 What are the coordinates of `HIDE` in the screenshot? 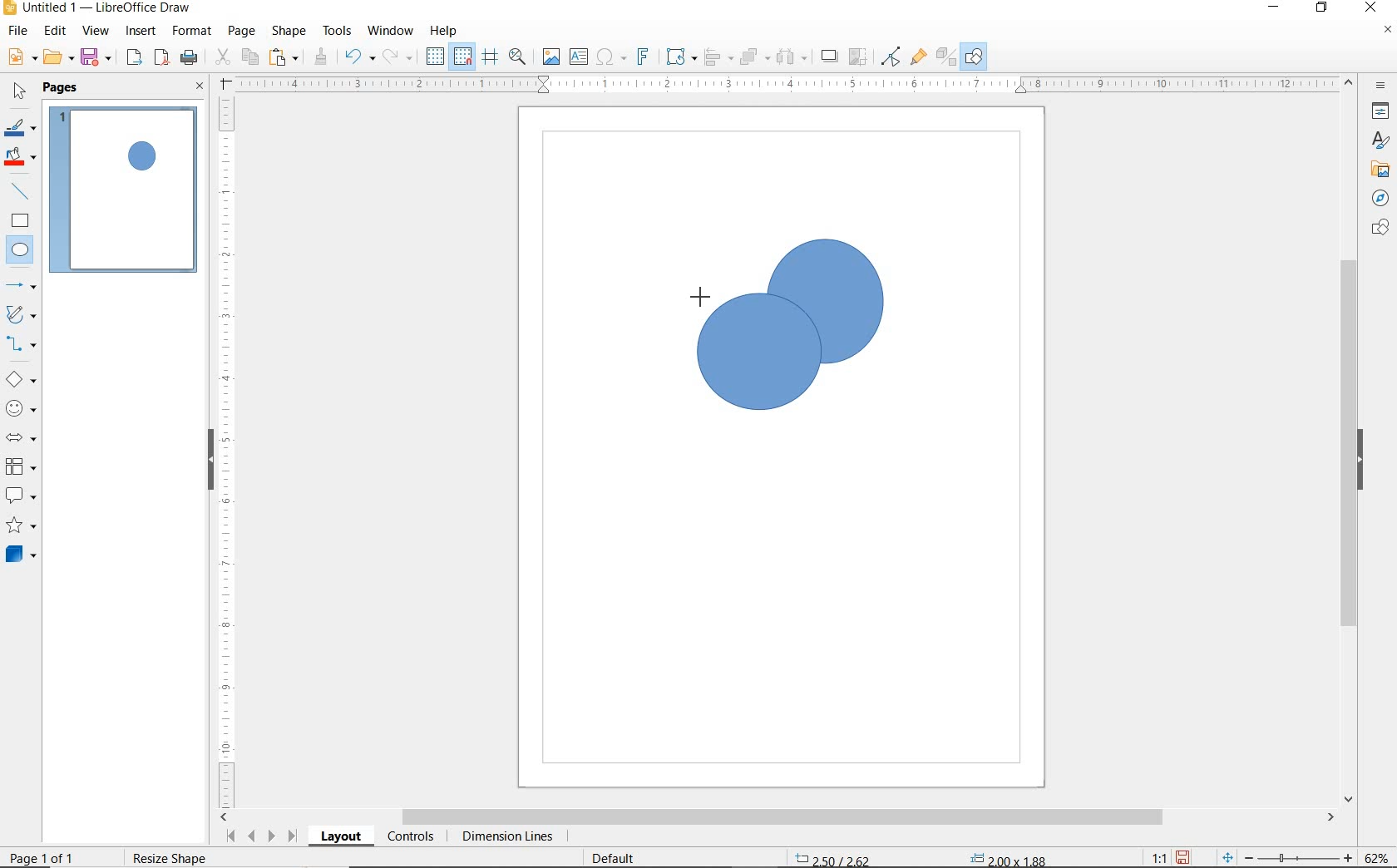 It's located at (208, 457).